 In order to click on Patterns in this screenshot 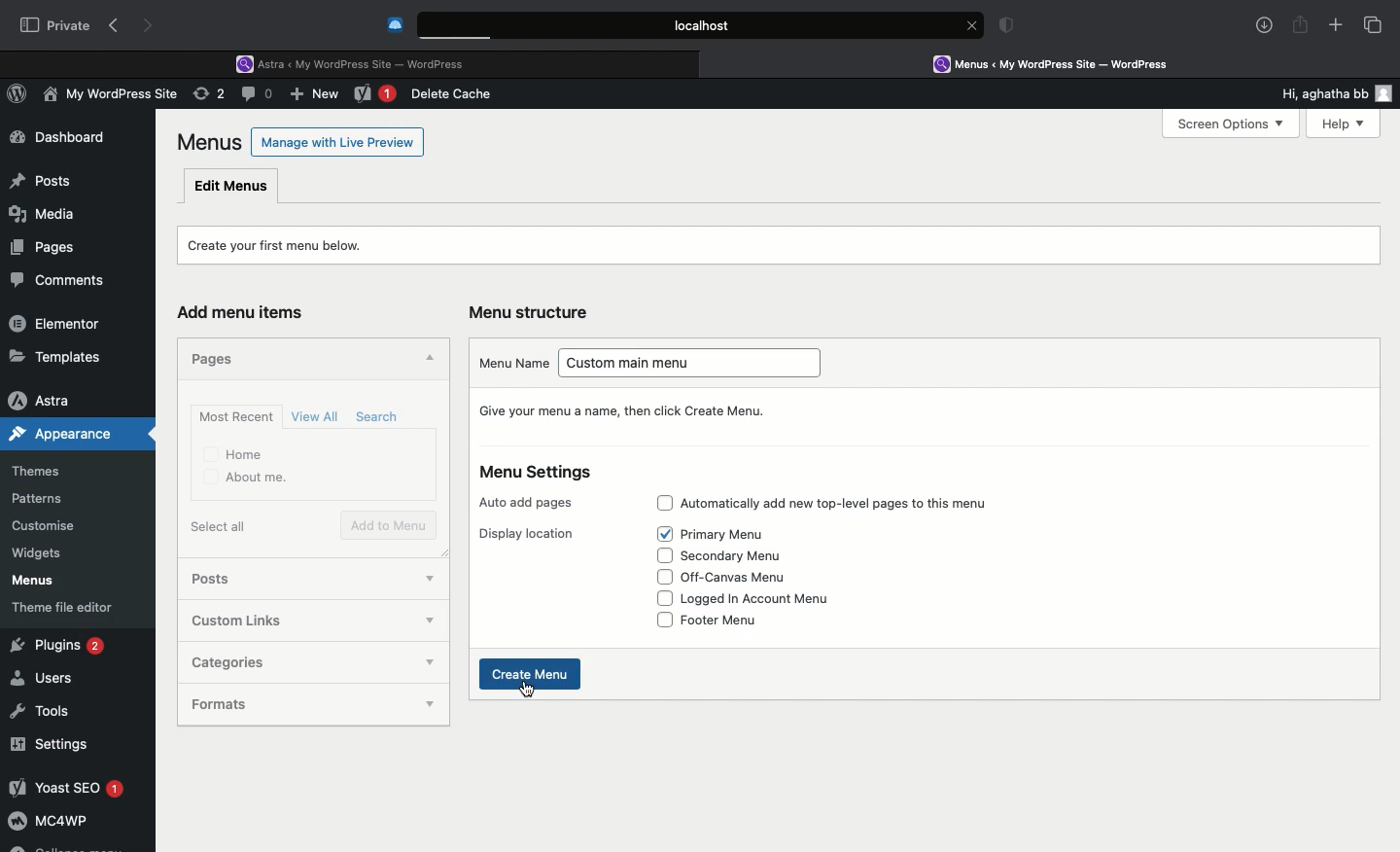, I will do `click(45, 500)`.